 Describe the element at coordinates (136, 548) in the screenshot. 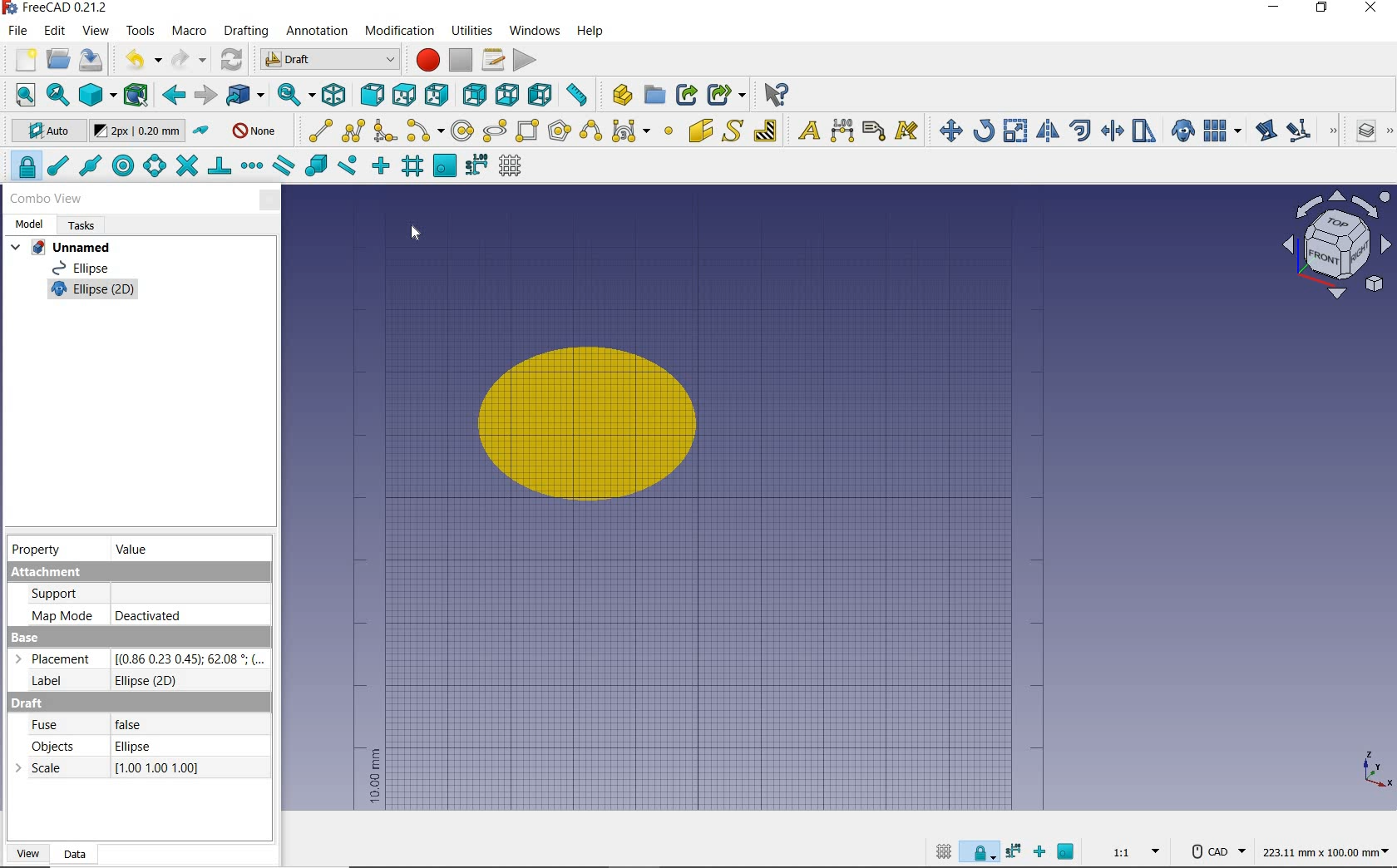

I see `value` at that location.